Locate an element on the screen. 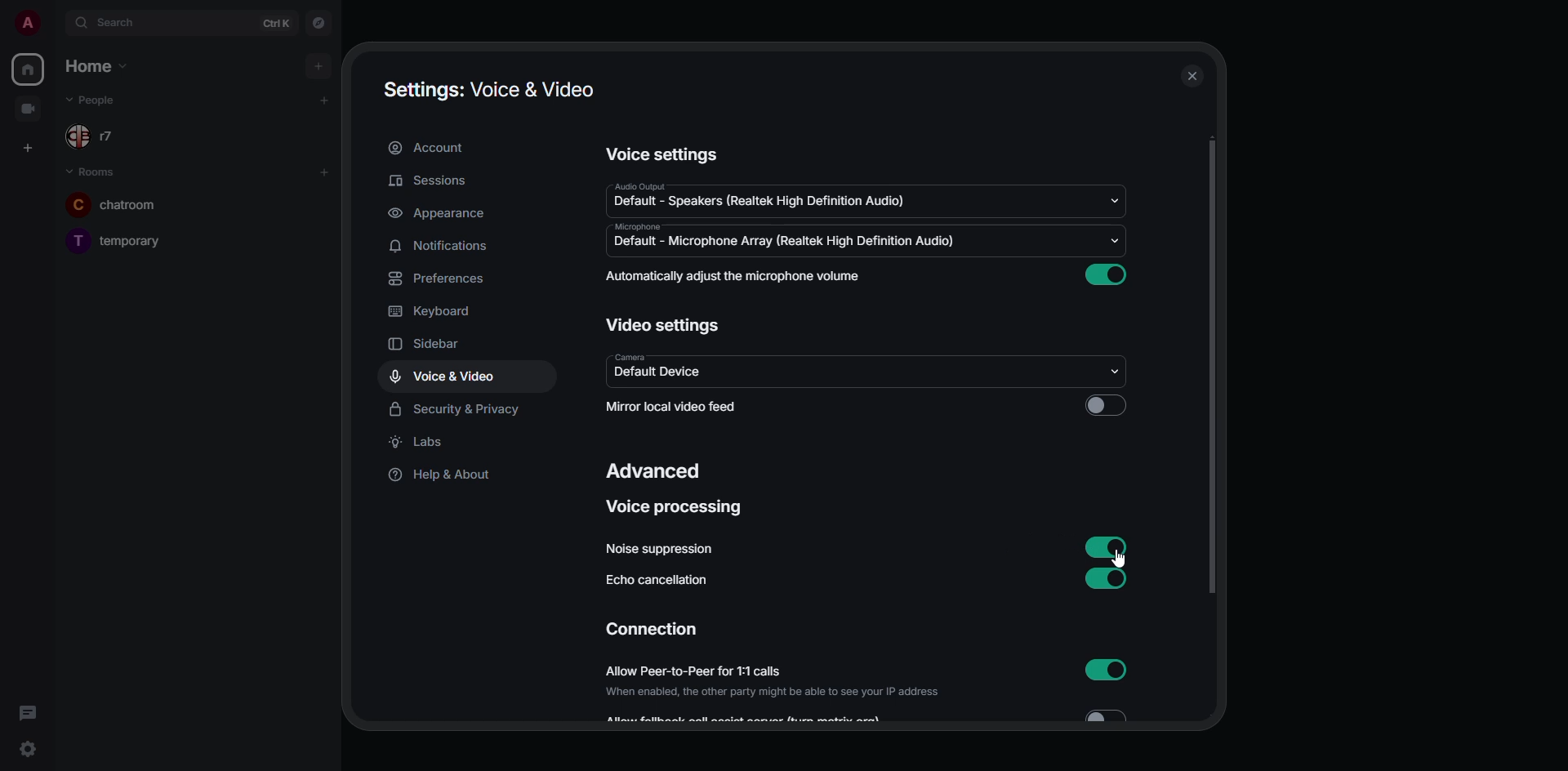 This screenshot has width=1568, height=771. profile is located at coordinates (28, 23).